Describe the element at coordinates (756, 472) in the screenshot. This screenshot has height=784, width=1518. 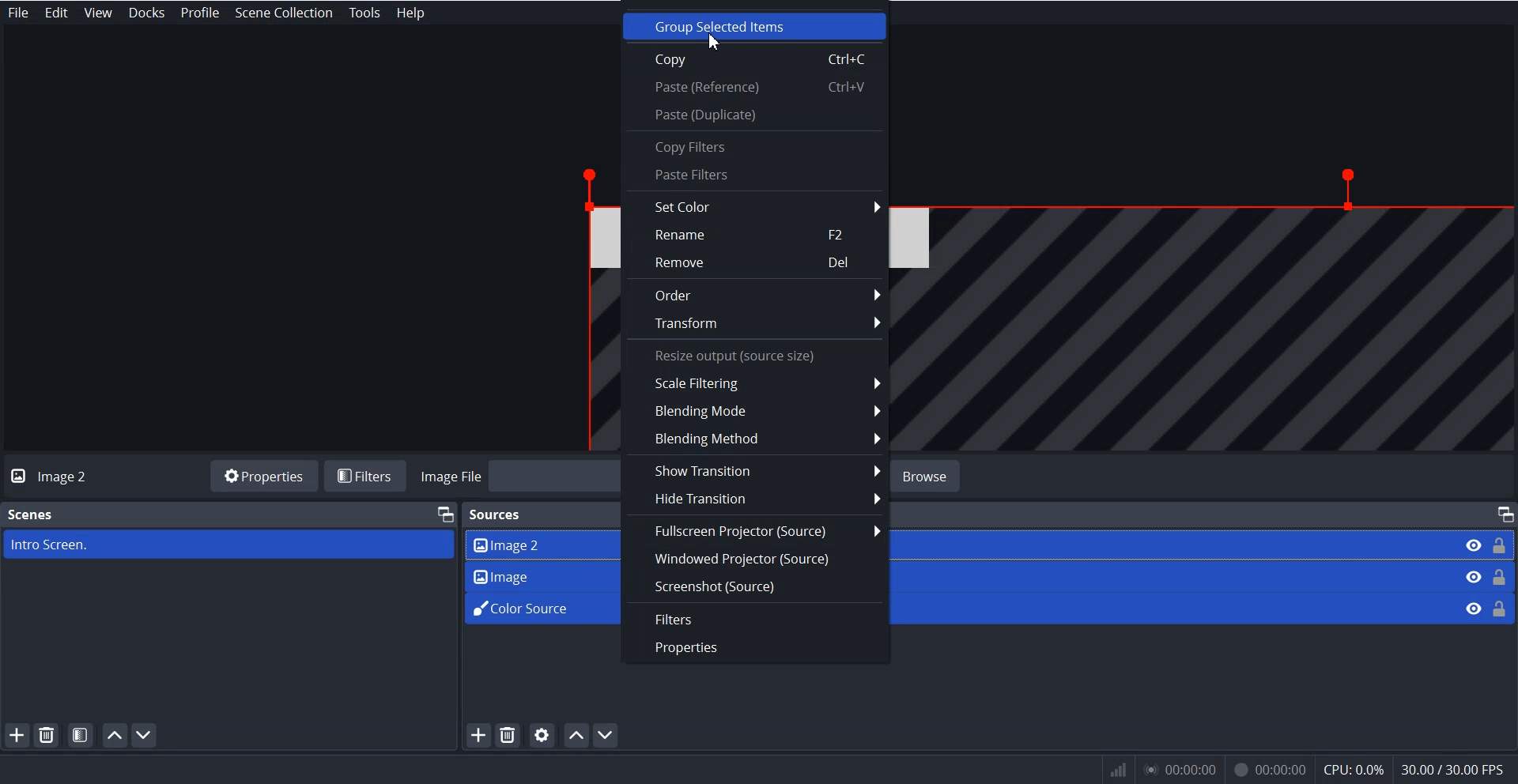
I see `Show Transition` at that location.